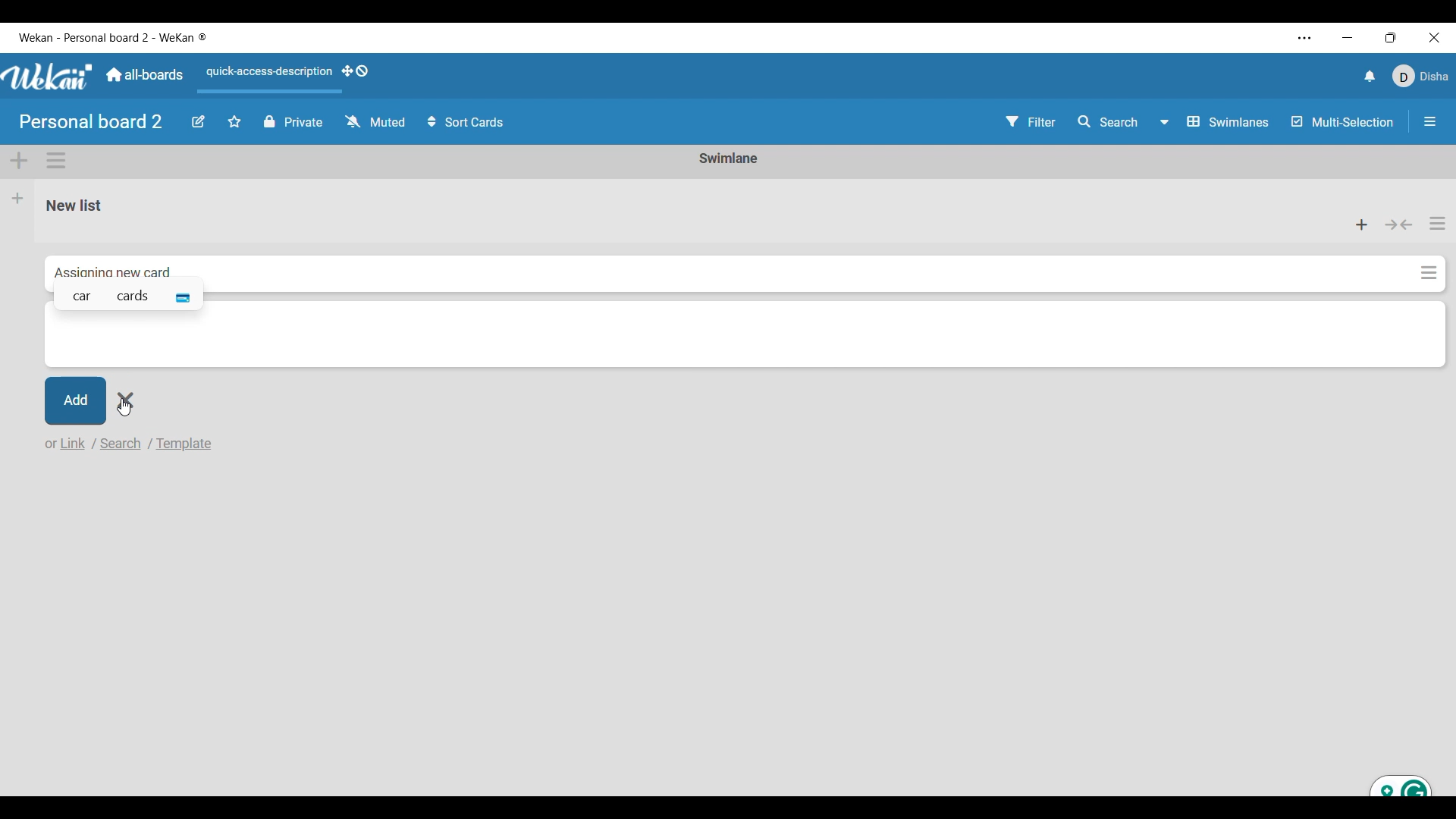  Describe the element at coordinates (466, 121) in the screenshot. I see `Sort card options` at that location.